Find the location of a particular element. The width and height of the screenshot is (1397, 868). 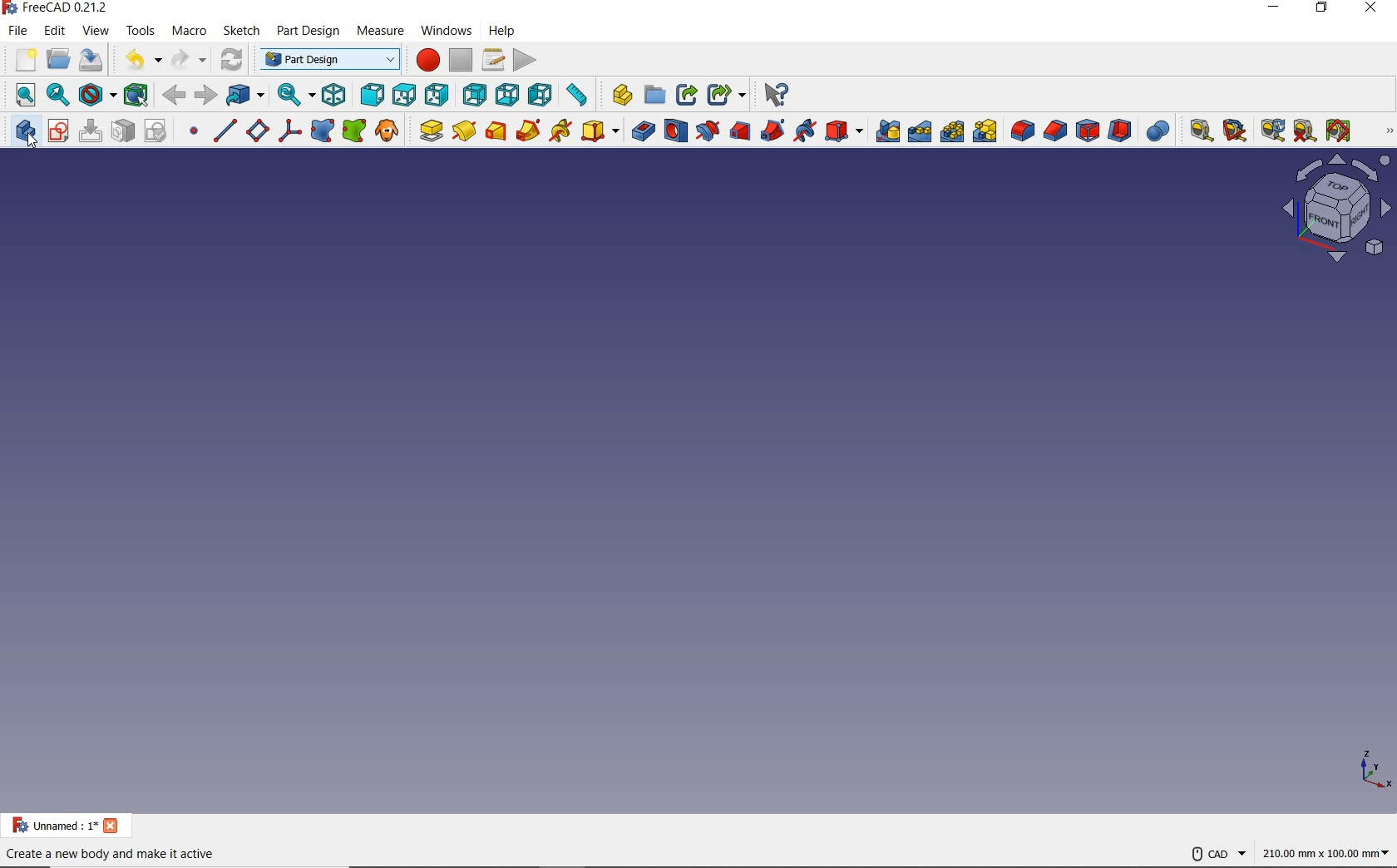

REVOLUTION is located at coordinates (464, 130).